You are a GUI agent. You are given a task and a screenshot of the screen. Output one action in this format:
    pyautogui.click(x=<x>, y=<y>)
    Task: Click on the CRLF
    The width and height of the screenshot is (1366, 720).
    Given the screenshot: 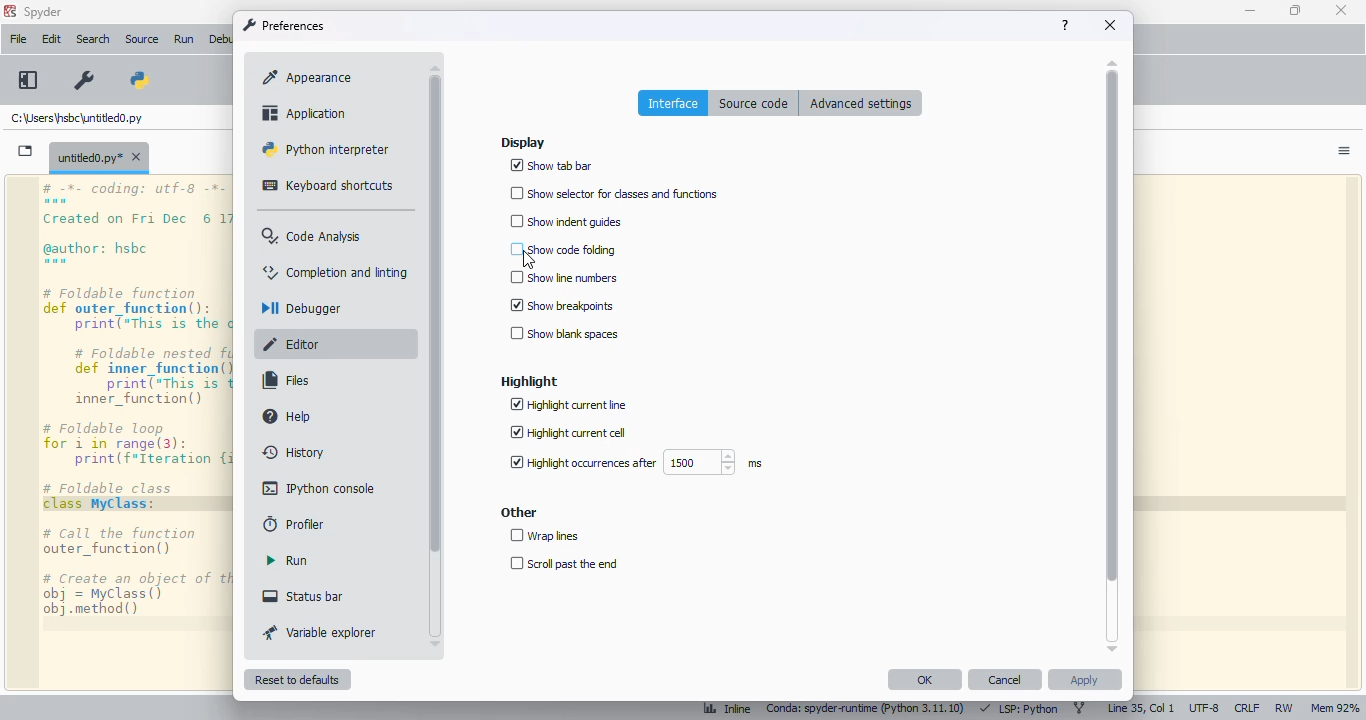 What is the action you would take?
    pyautogui.click(x=1246, y=709)
    